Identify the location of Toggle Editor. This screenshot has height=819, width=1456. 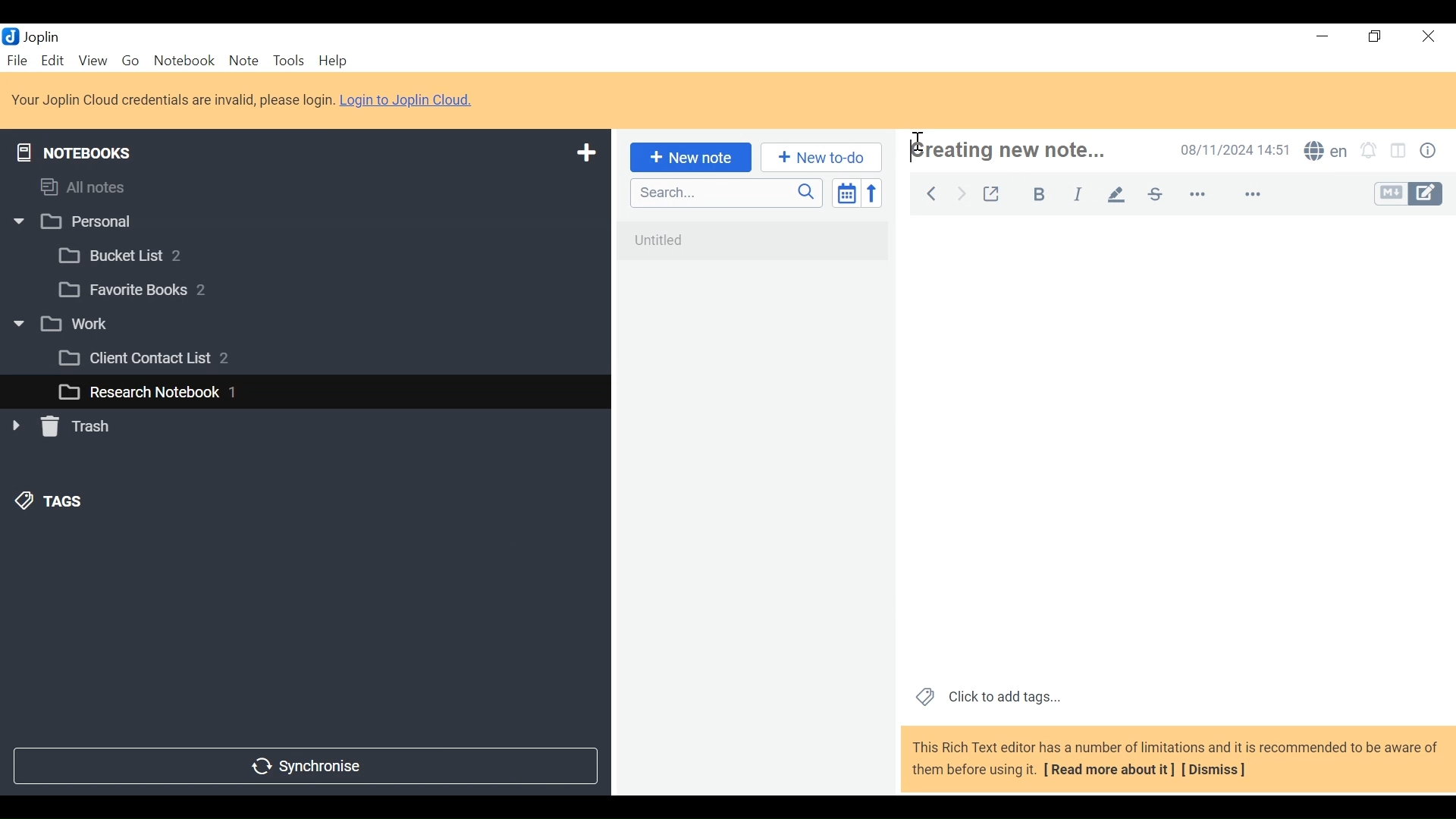
(1410, 194).